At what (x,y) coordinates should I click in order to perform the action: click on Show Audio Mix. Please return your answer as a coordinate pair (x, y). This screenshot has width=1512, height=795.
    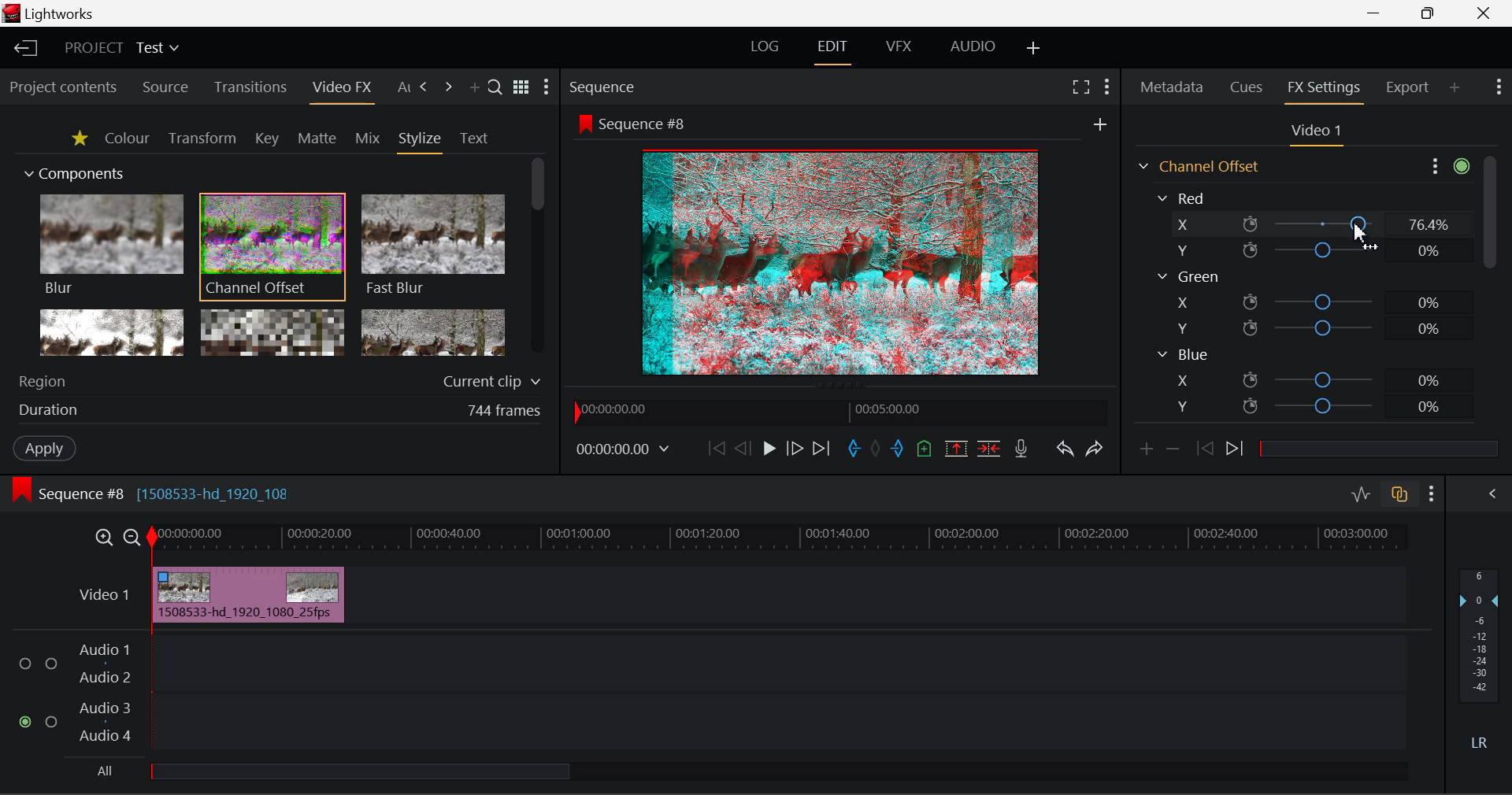
    Looking at the image, I should click on (1484, 494).